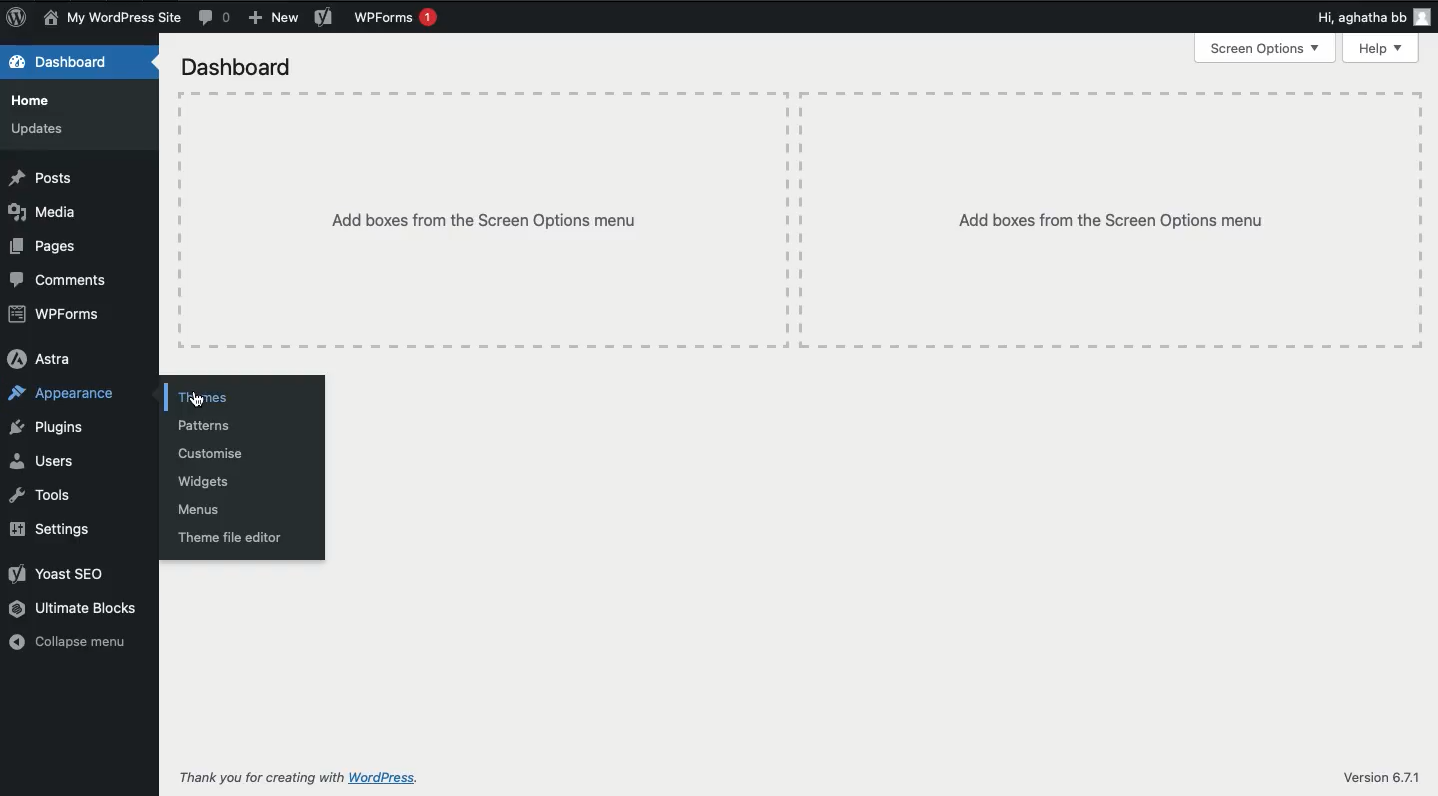 The height and width of the screenshot is (796, 1438). I want to click on Ultimate blocks, so click(75, 610).